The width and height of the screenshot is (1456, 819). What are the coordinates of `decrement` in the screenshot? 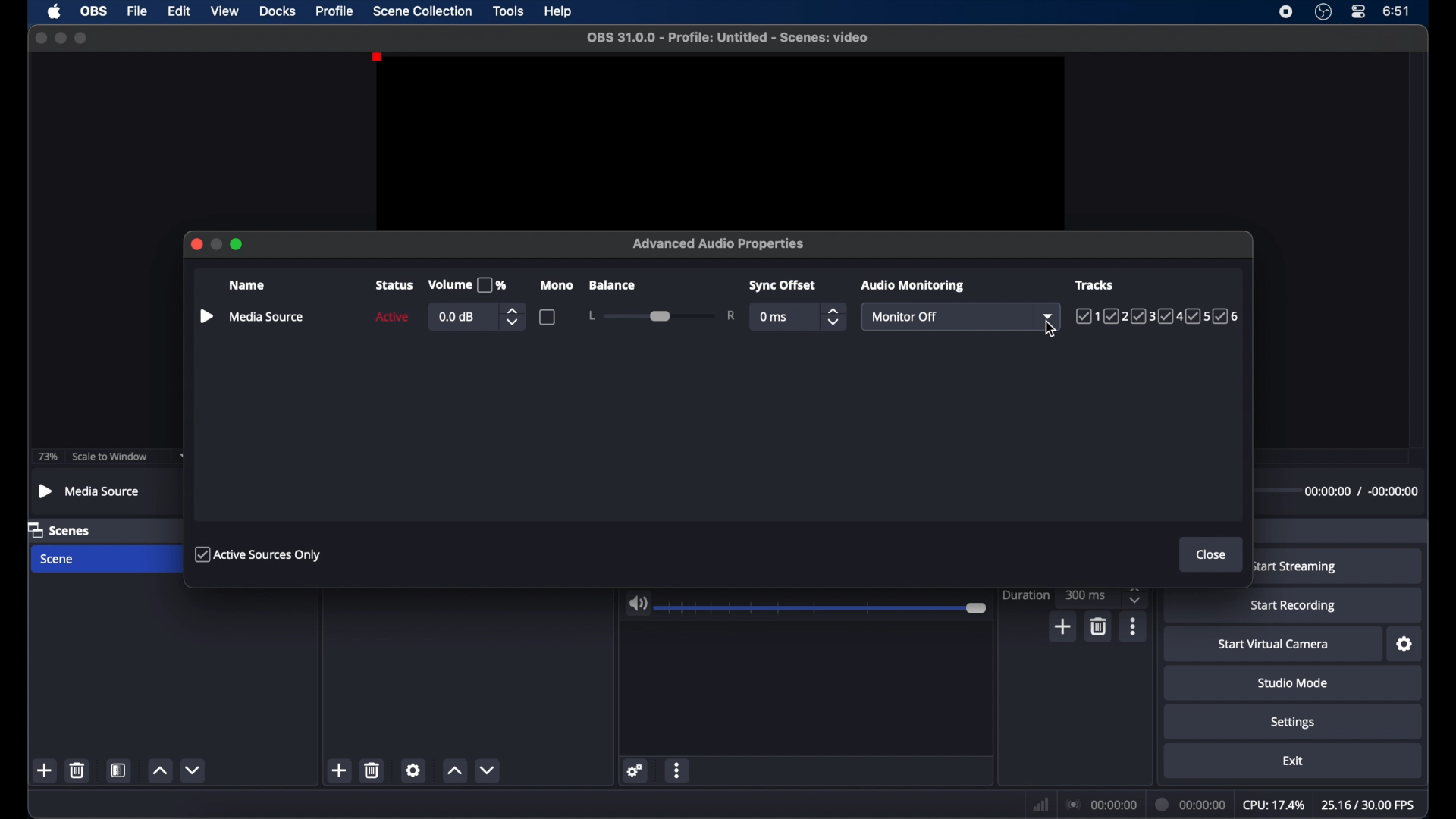 It's located at (195, 770).